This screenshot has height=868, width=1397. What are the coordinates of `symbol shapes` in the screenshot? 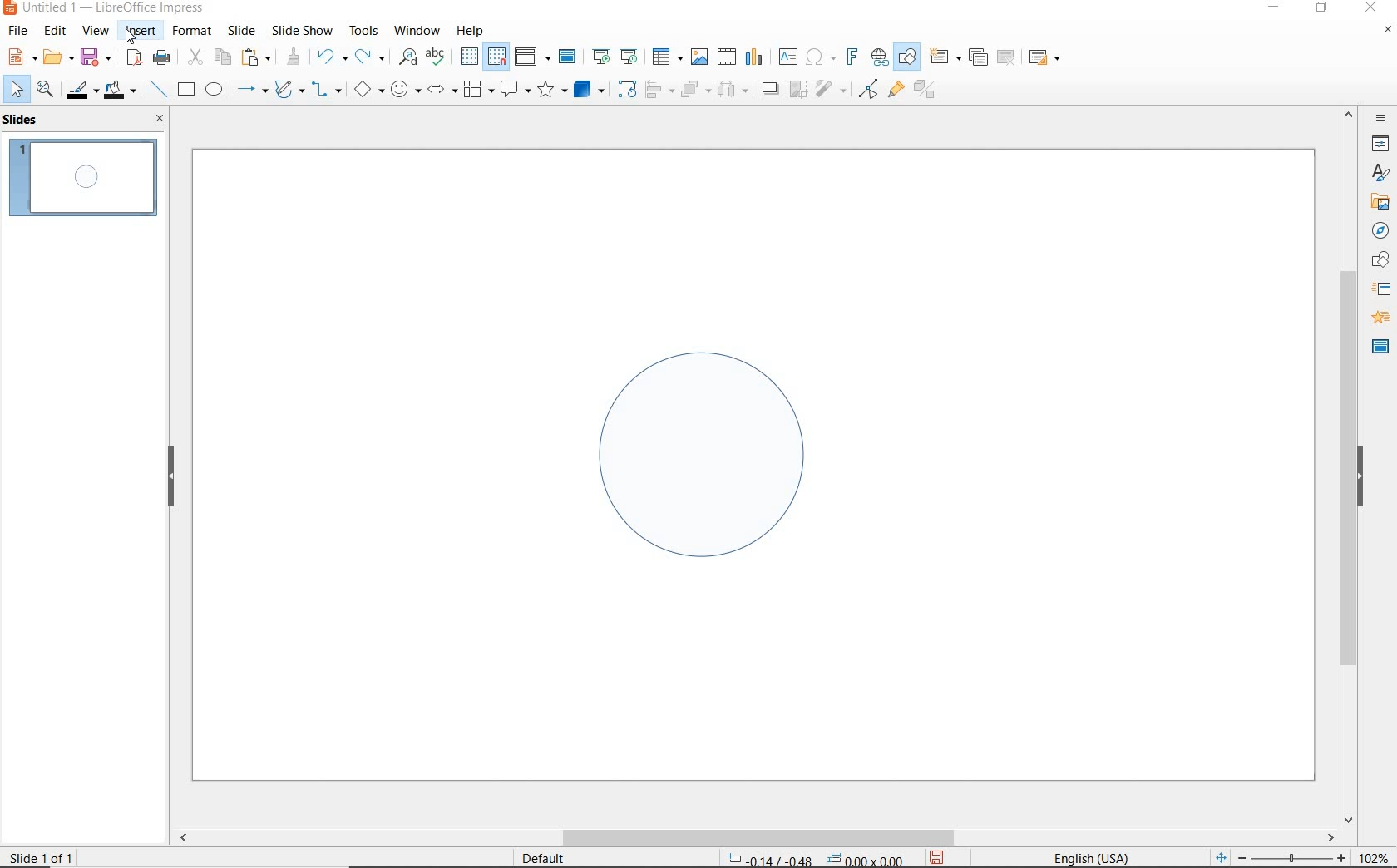 It's located at (405, 89).